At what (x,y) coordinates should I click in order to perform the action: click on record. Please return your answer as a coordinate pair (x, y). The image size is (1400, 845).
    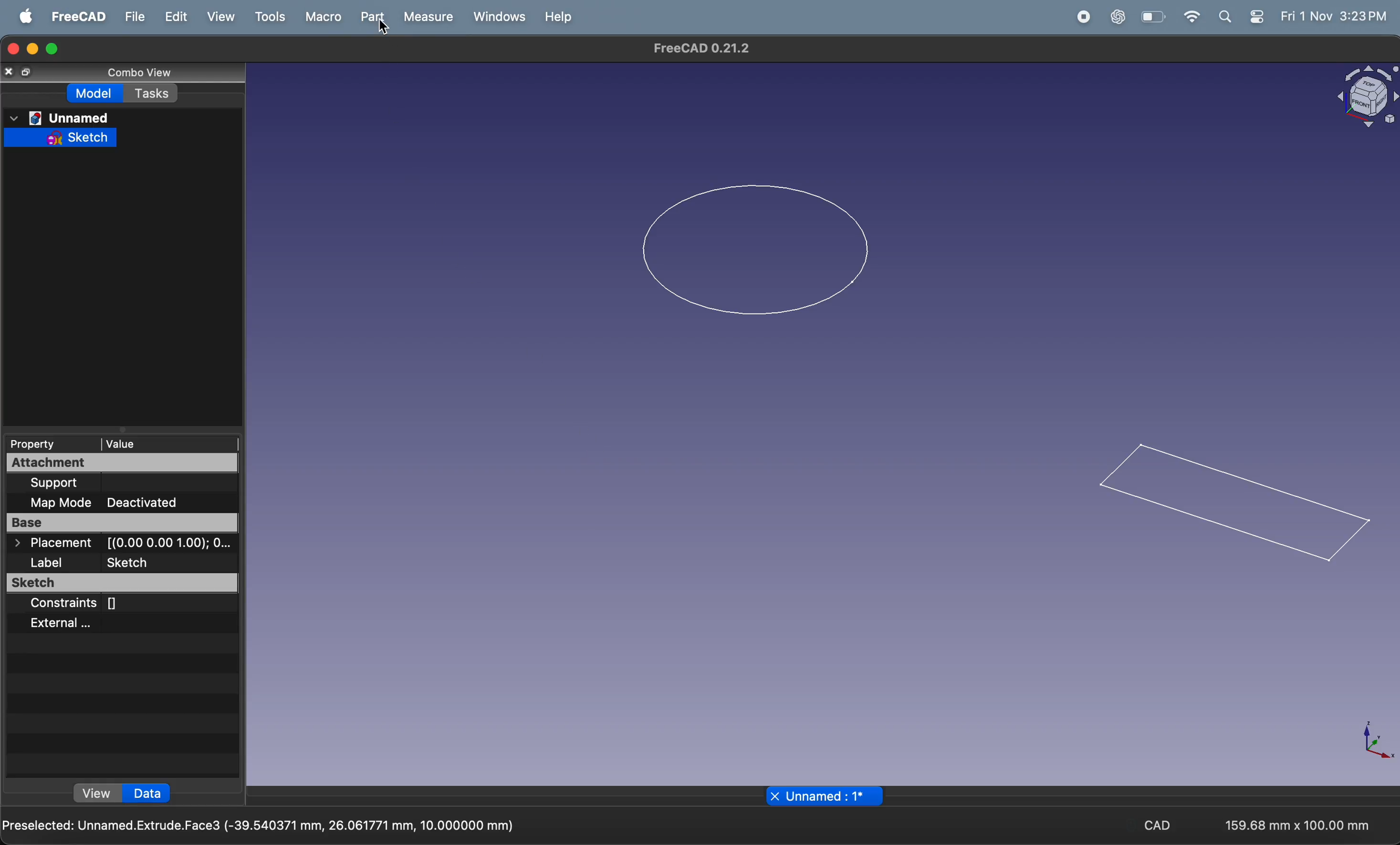
    Looking at the image, I should click on (1081, 16).